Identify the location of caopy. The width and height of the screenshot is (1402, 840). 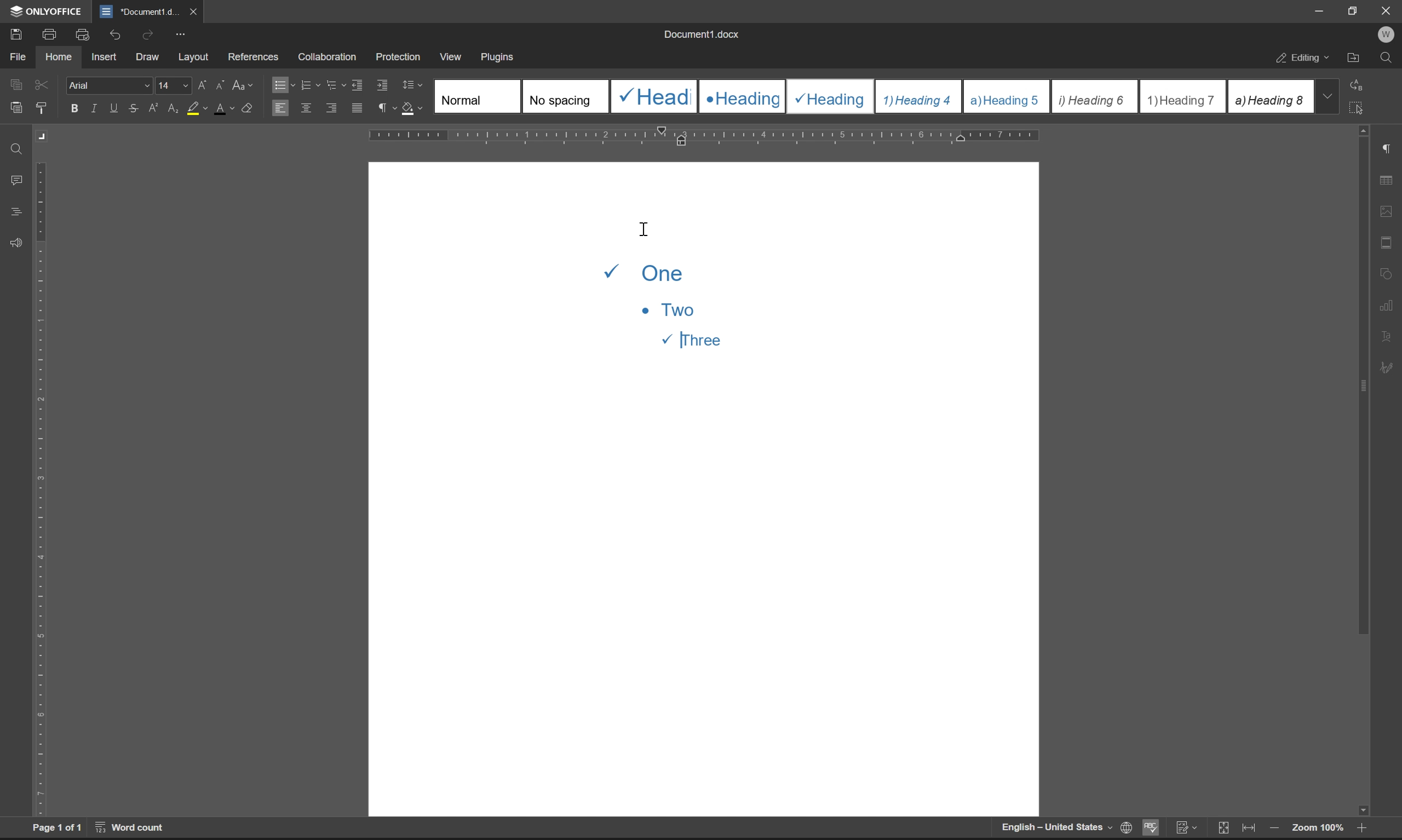
(14, 87).